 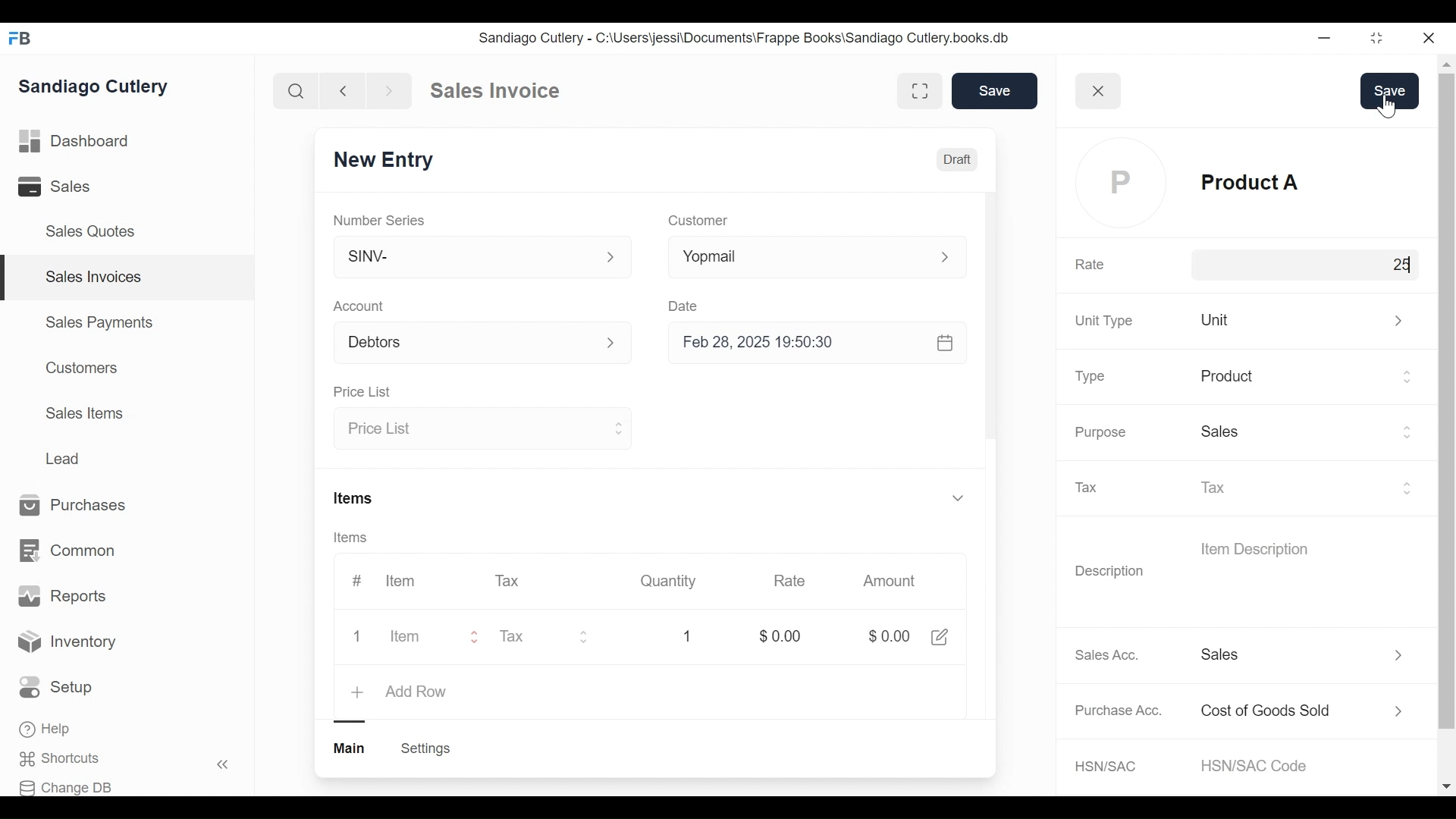 What do you see at coordinates (67, 644) in the screenshot?
I see `Inventory` at bounding box center [67, 644].